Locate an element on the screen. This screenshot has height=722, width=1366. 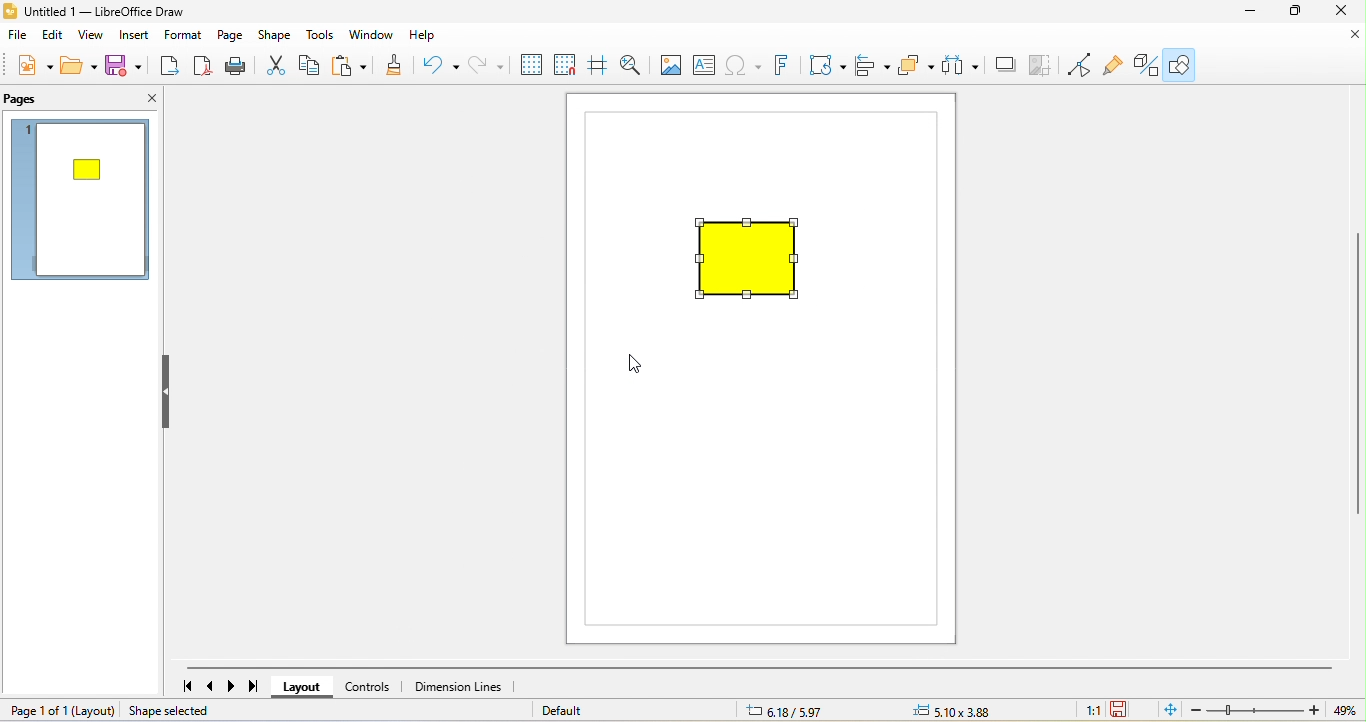
transformation is located at coordinates (824, 64).